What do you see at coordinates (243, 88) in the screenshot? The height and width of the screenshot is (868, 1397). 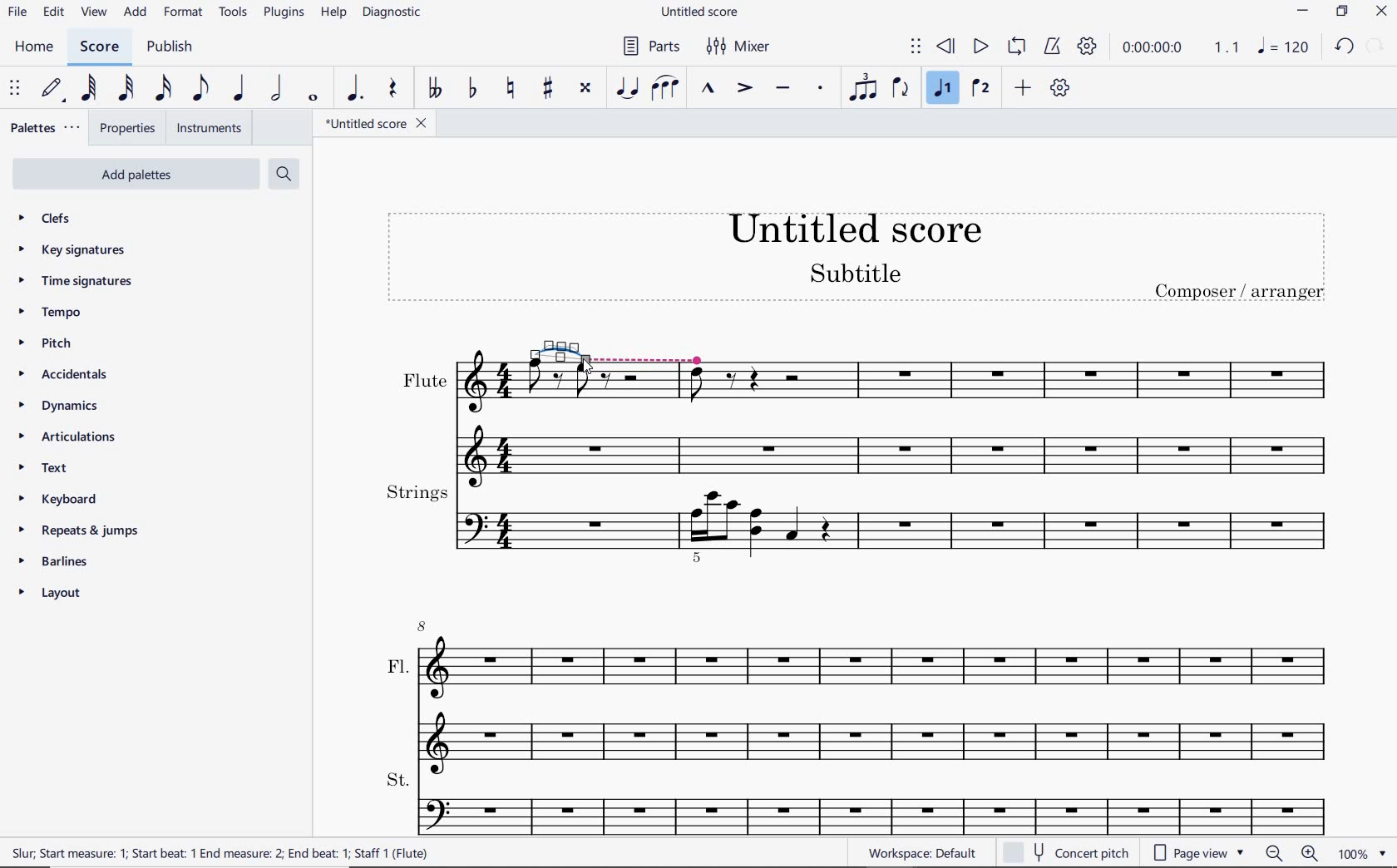 I see `QUARTER NOTE` at bounding box center [243, 88].